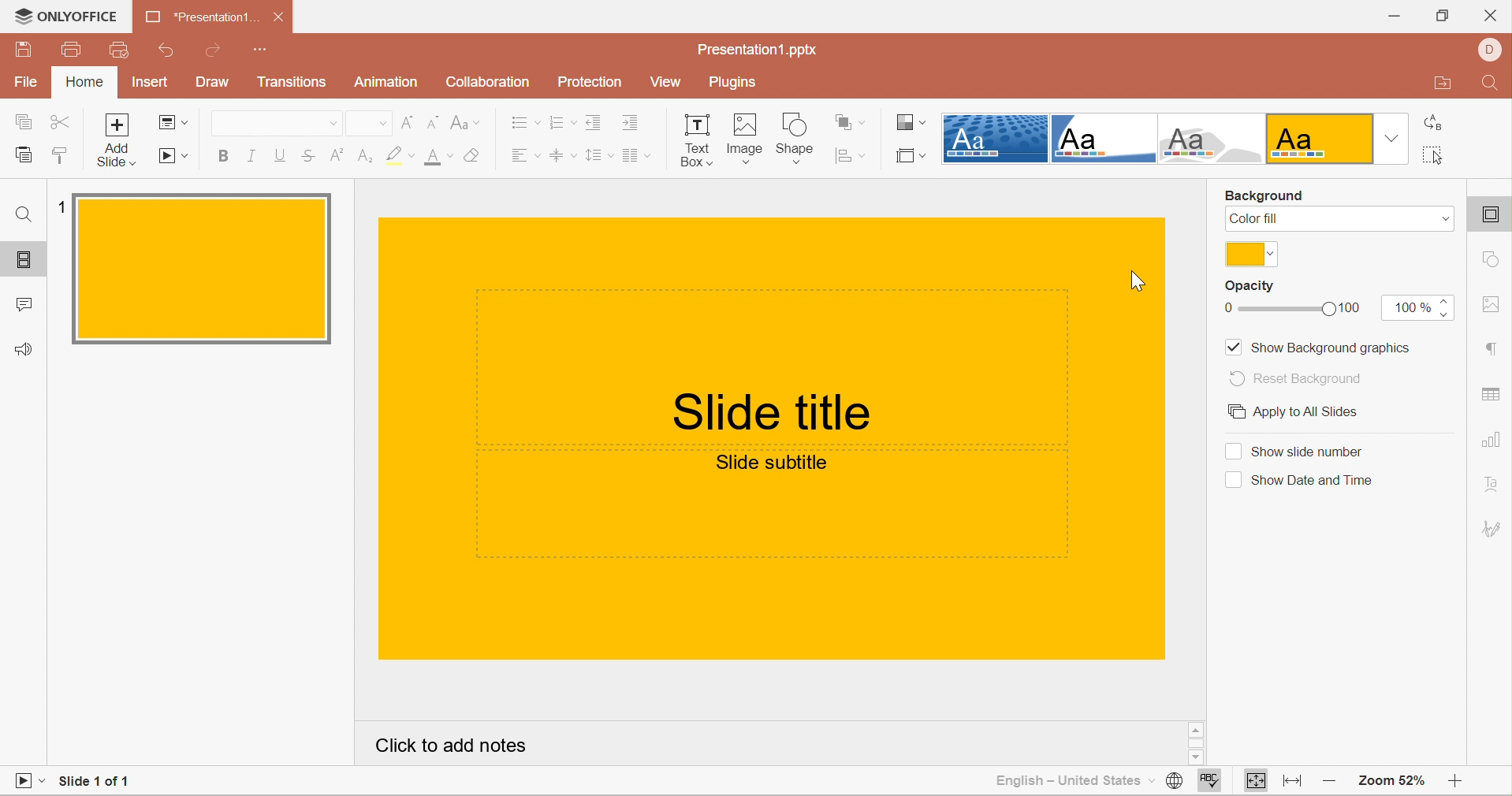 The height and width of the screenshot is (796, 1512). What do you see at coordinates (62, 18) in the screenshot?
I see `ONLYOFFICE` at bounding box center [62, 18].